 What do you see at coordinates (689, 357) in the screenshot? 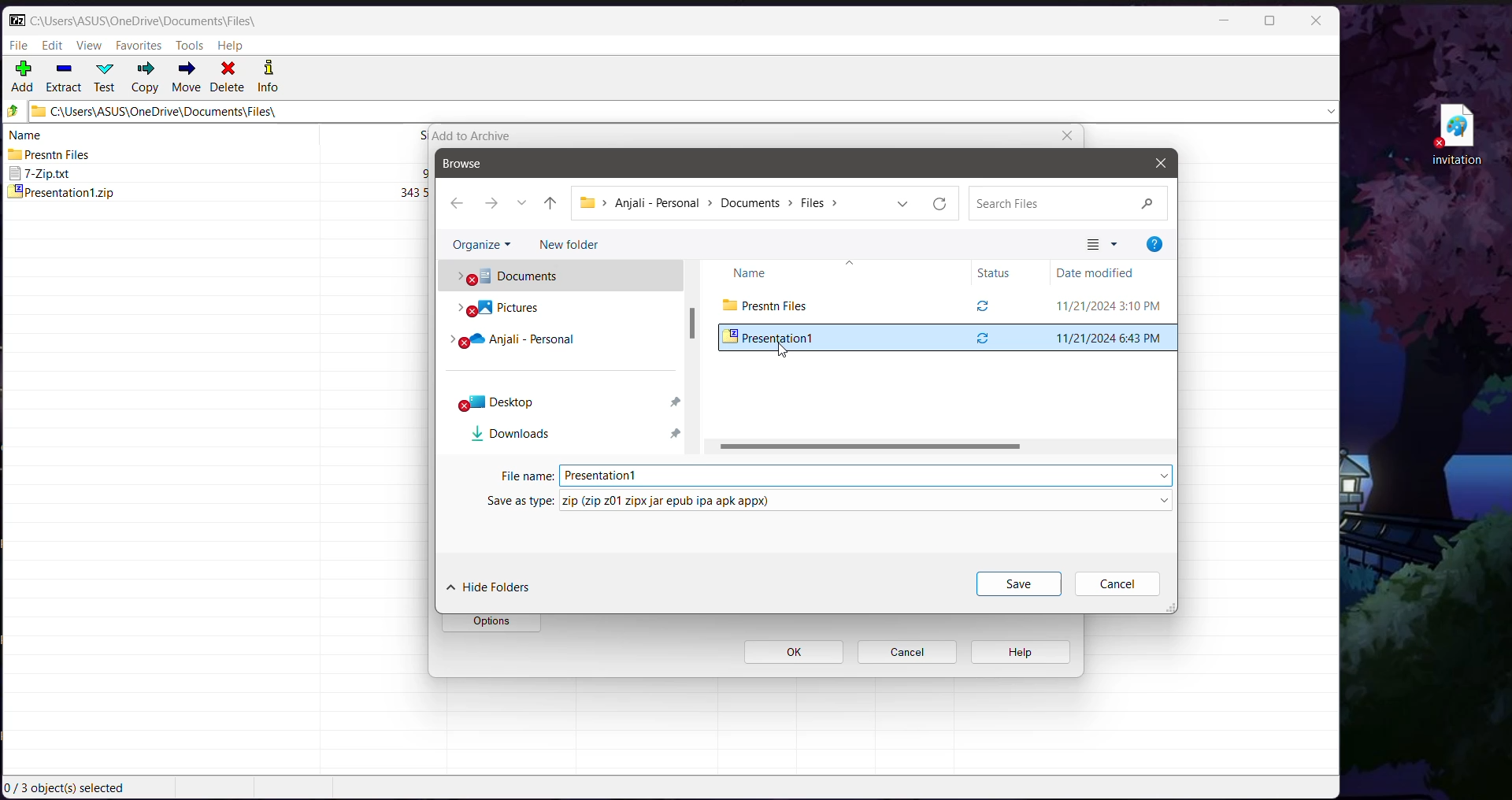
I see `Vertical Scroll Bar` at bounding box center [689, 357].